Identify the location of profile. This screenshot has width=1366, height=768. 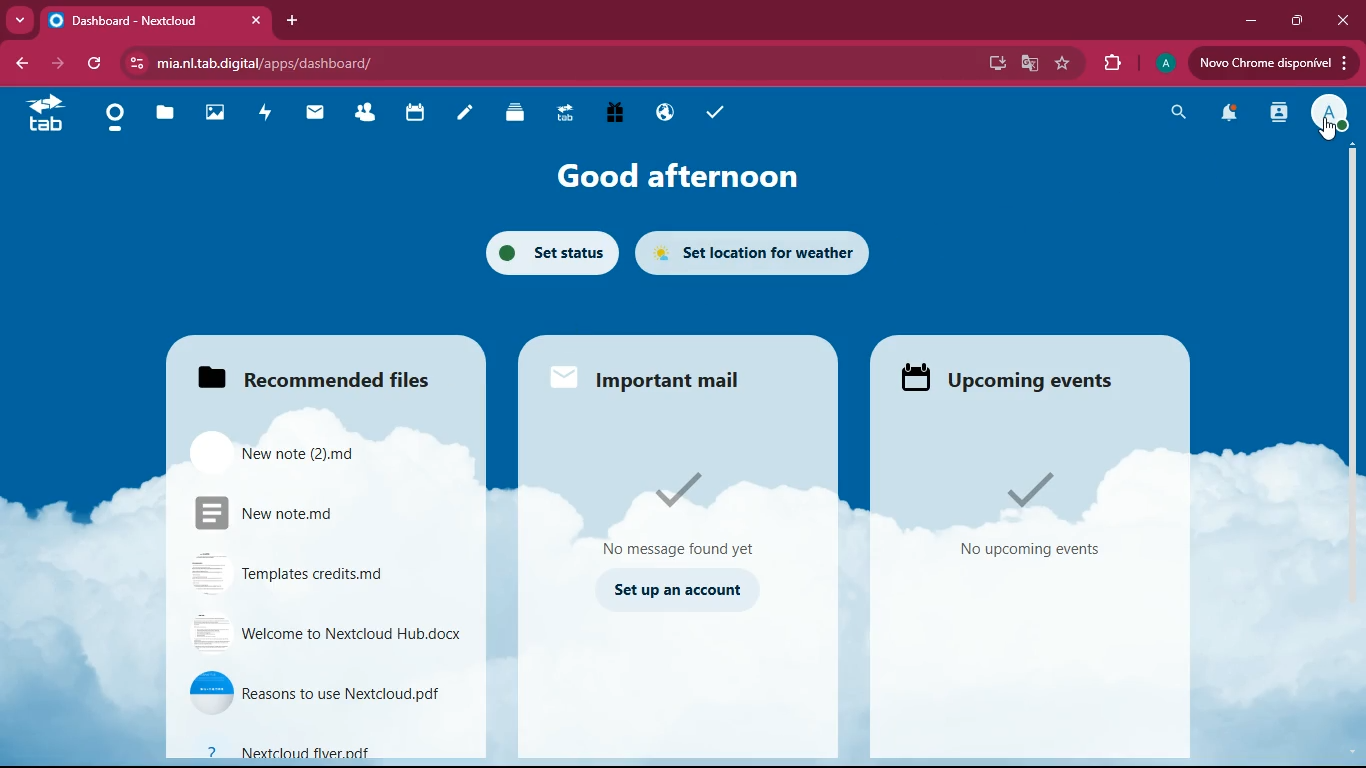
(1331, 113).